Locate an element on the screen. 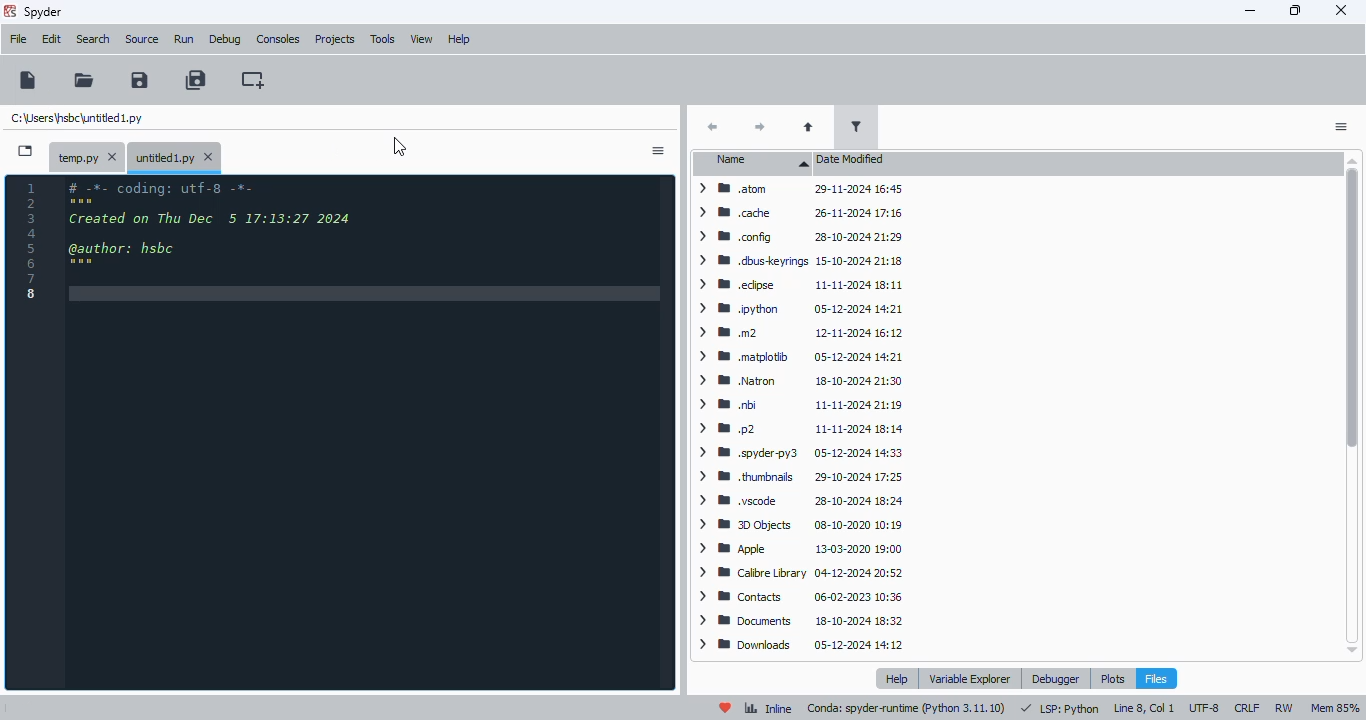 Image resolution: width=1366 pixels, height=720 pixels. tools is located at coordinates (382, 40).